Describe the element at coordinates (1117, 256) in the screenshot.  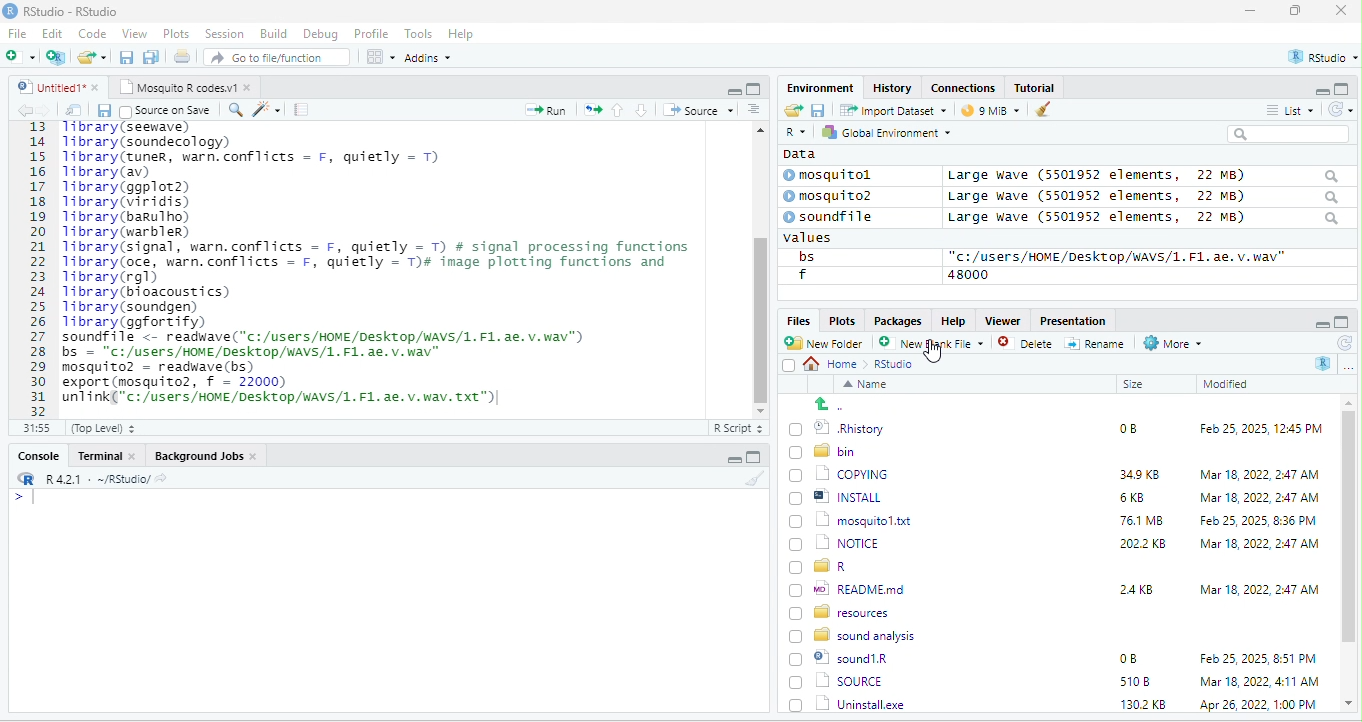
I see `“c:/users/HOME /Desktop/WAVS/1.F1. ae. v.wav"` at that location.